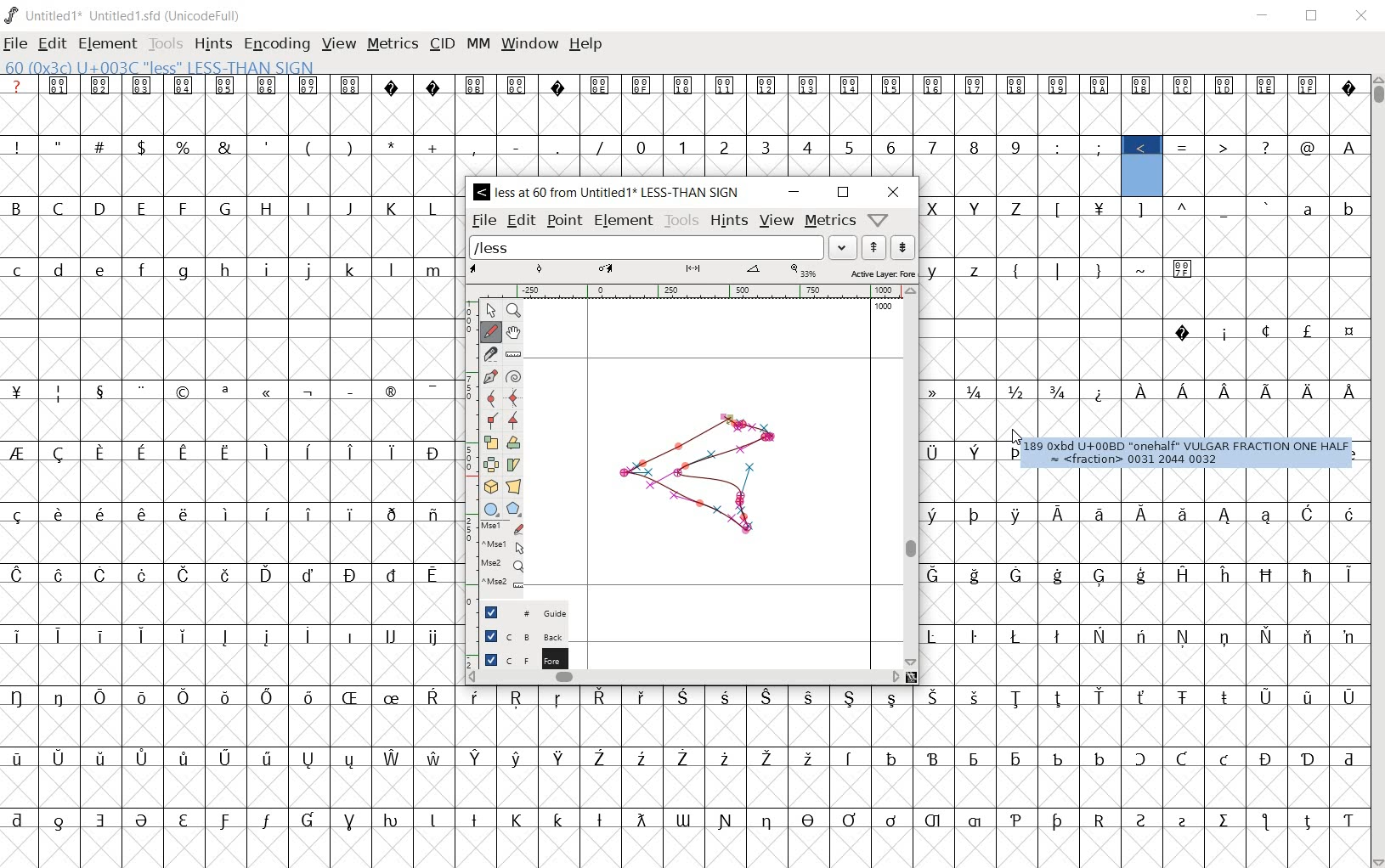  I want to click on metrics, so click(830, 222).